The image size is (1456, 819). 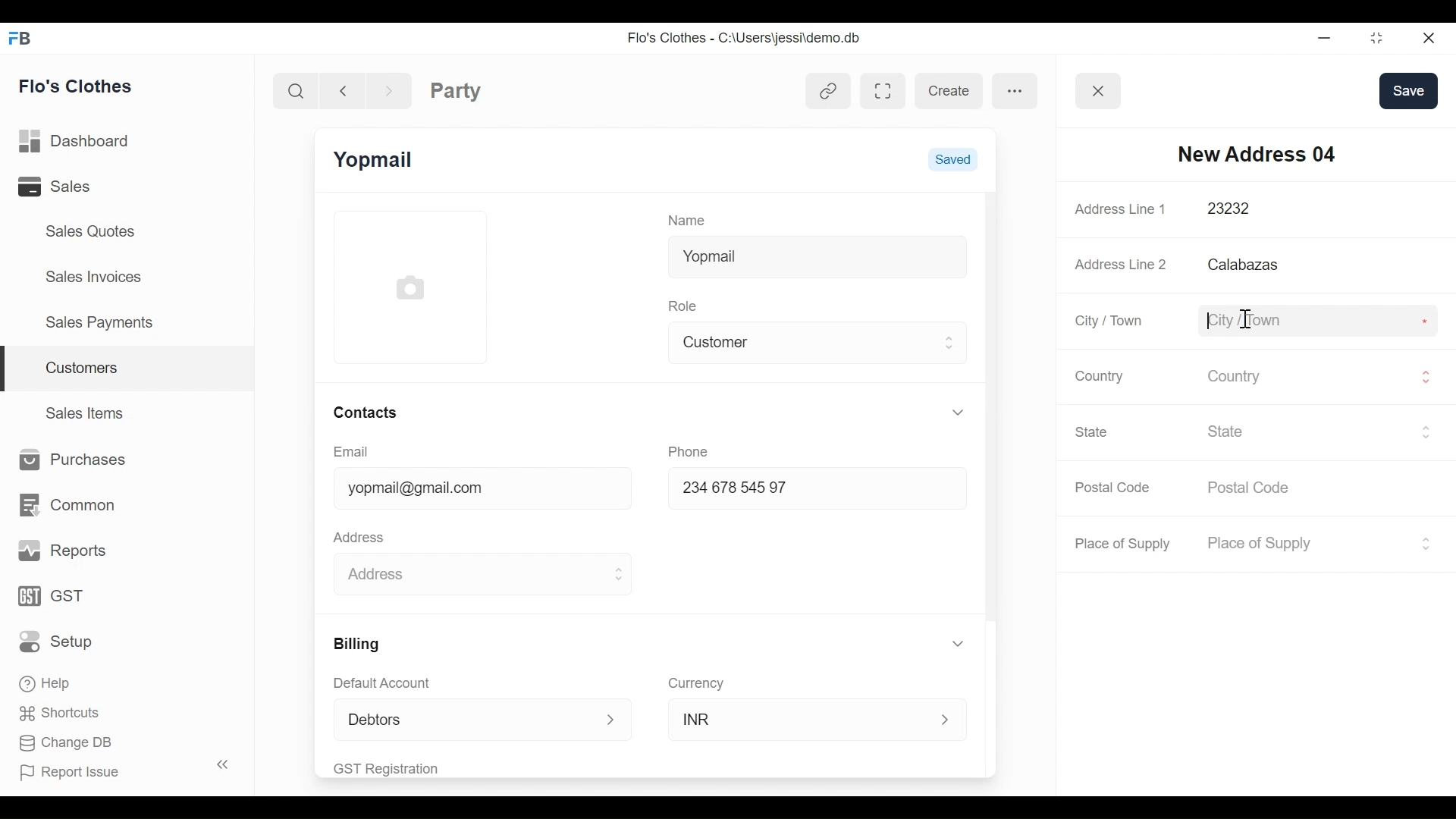 I want to click on Sales, so click(x=75, y=186).